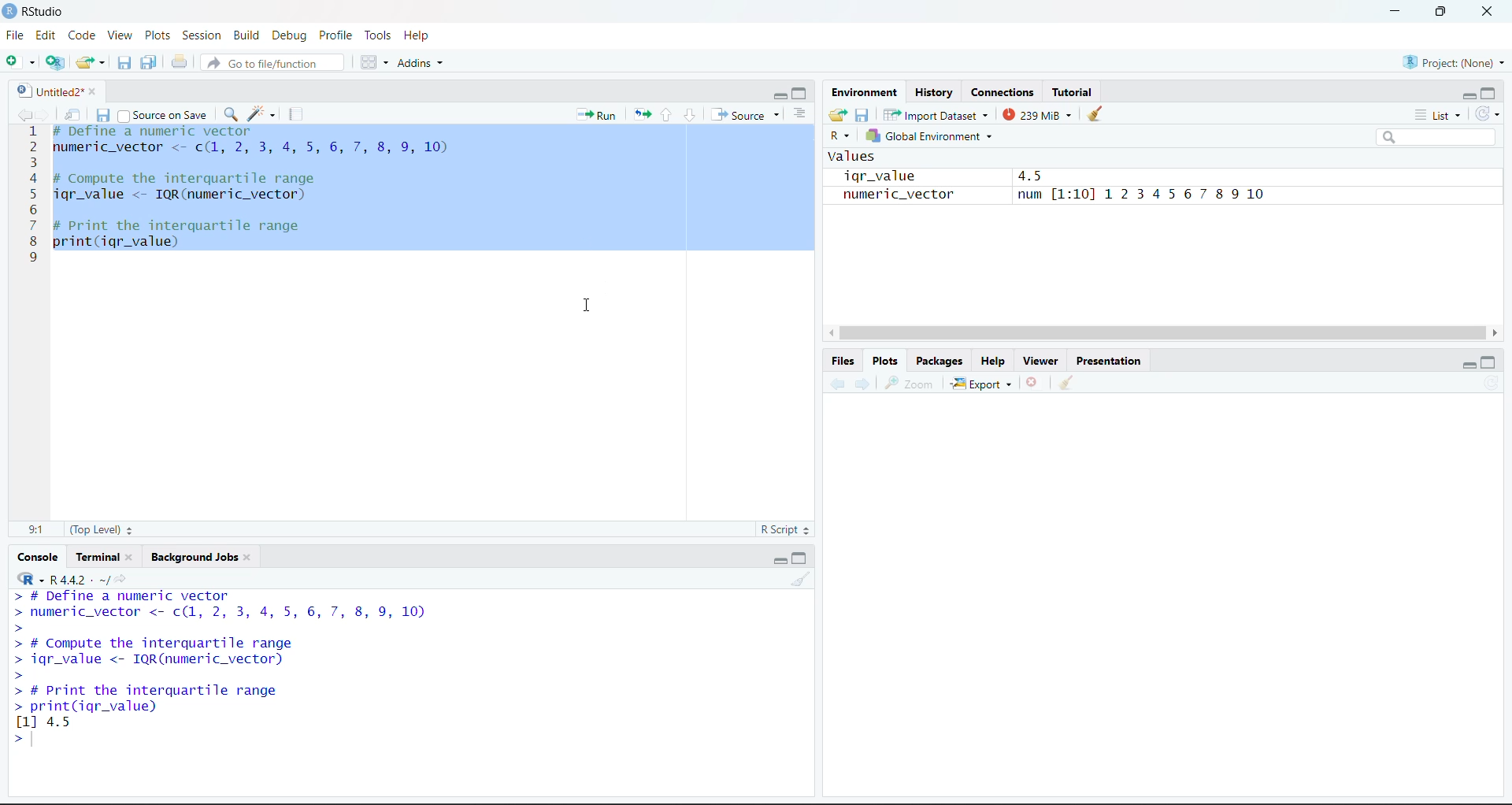 This screenshot has width=1512, height=805. Describe the element at coordinates (1484, 13) in the screenshot. I see `Close` at that location.